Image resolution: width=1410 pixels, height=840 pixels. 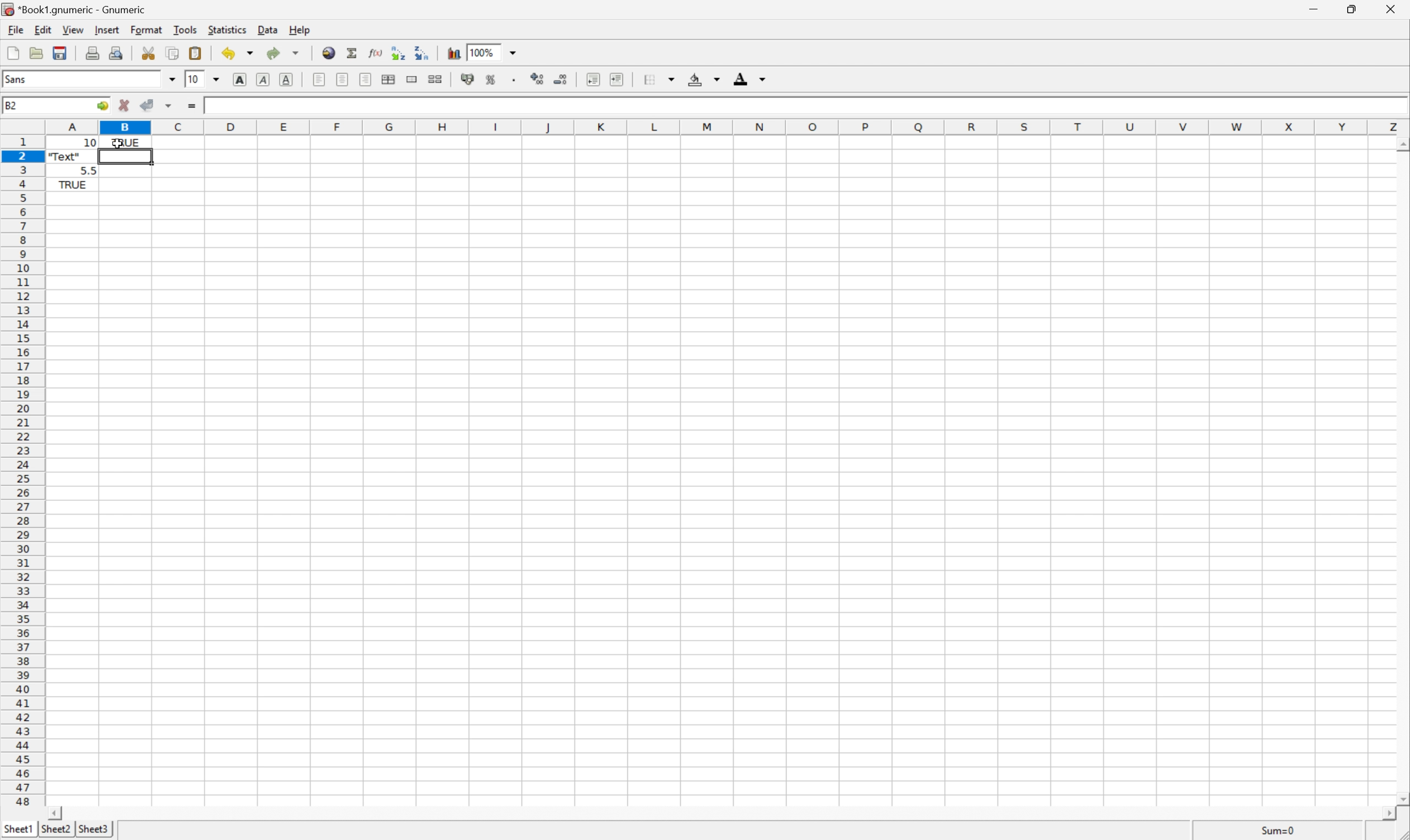 What do you see at coordinates (364, 80) in the screenshot?
I see `Align Right` at bounding box center [364, 80].